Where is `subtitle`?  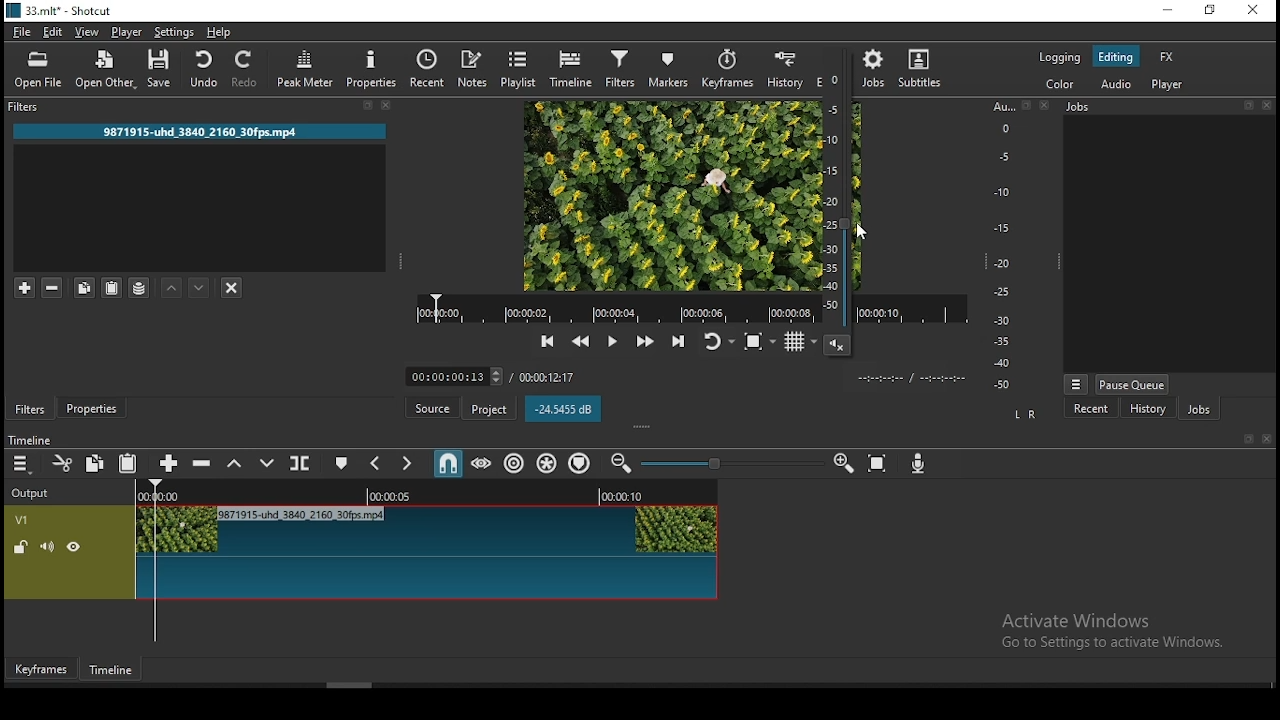 subtitle is located at coordinates (924, 66).